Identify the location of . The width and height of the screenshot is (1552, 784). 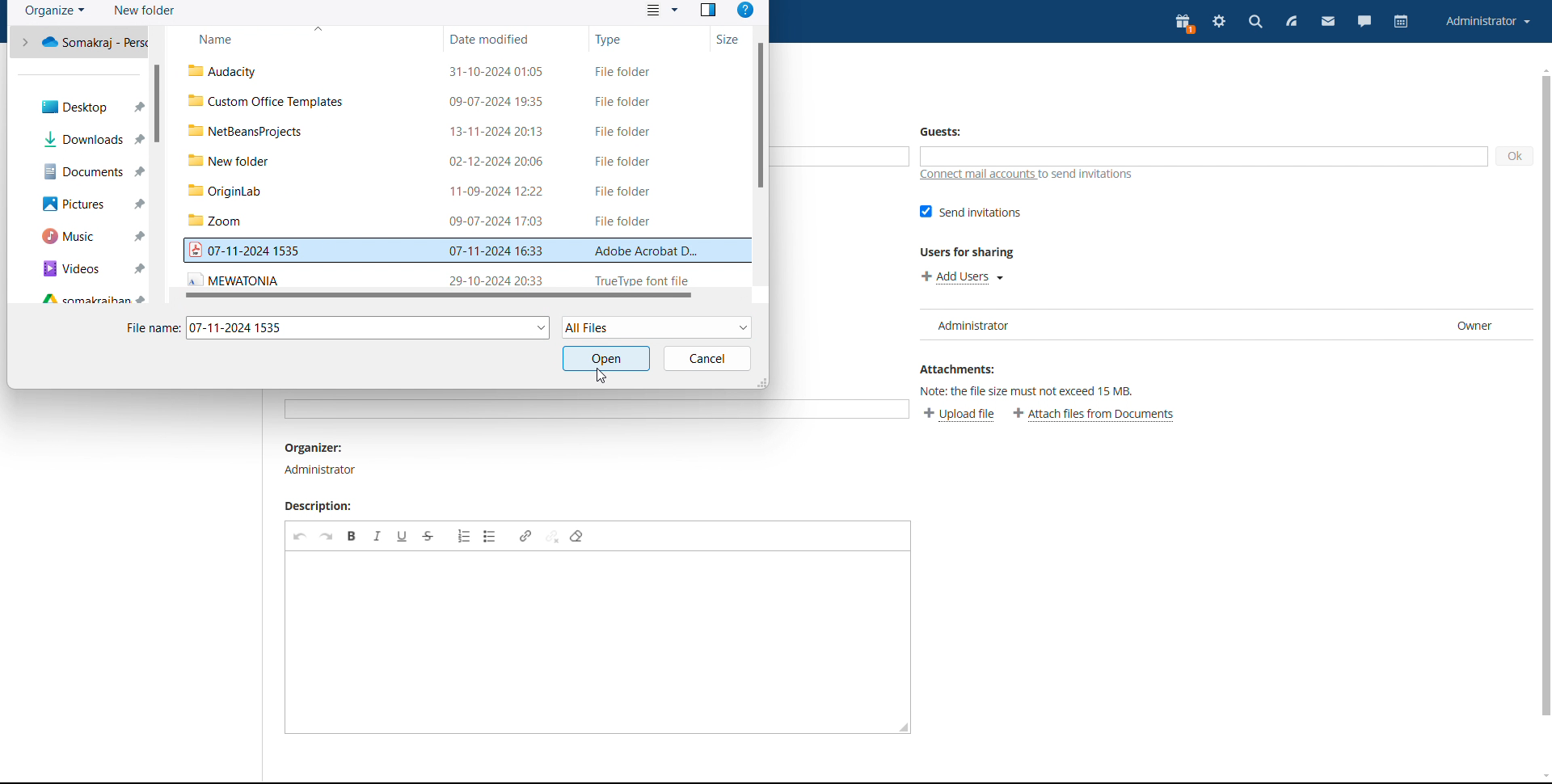
(464, 252).